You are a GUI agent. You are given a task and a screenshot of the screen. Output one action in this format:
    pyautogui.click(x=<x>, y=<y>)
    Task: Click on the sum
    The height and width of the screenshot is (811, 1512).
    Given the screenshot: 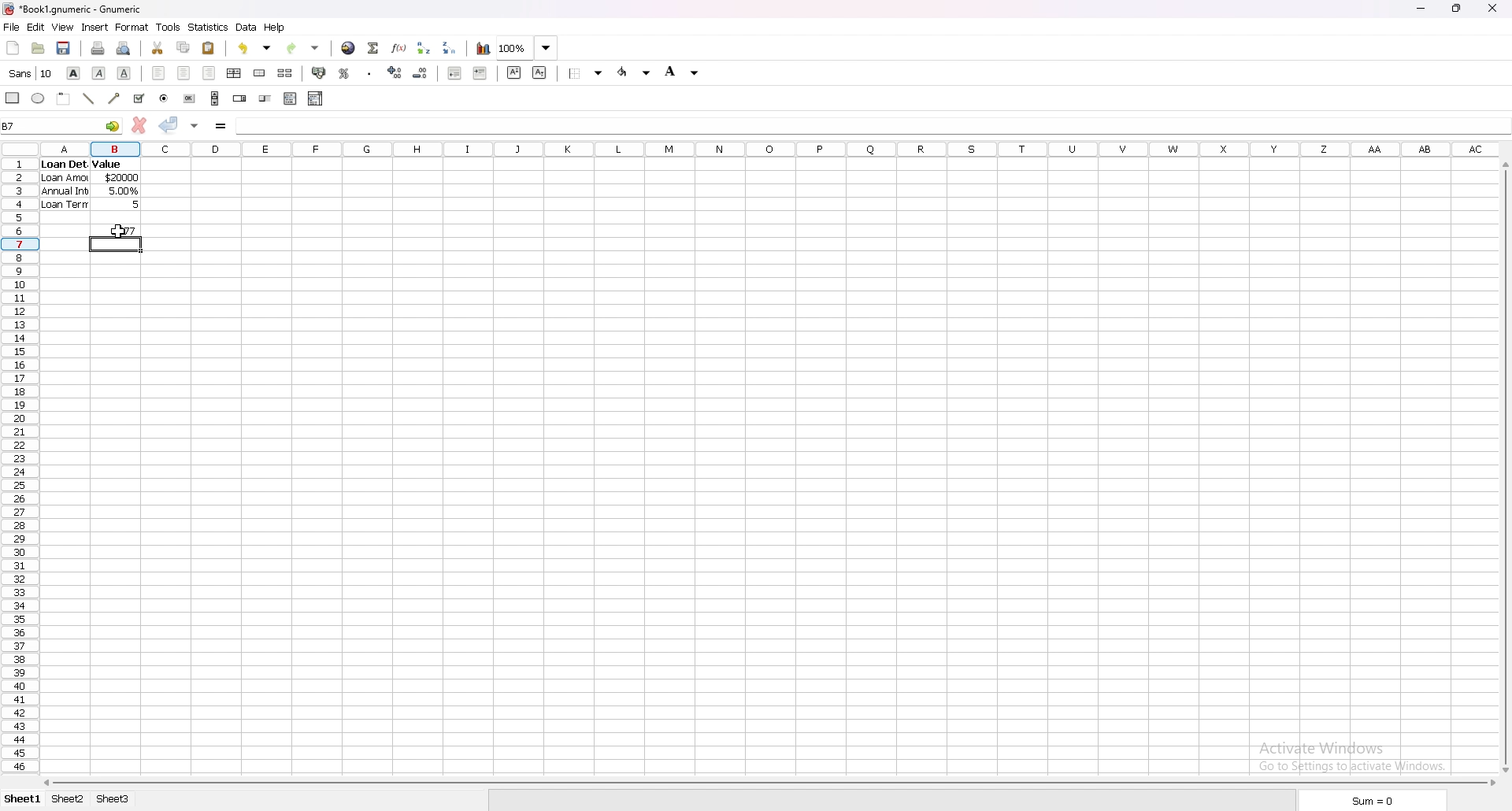 What is the action you would take?
    pyautogui.click(x=1380, y=801)
    